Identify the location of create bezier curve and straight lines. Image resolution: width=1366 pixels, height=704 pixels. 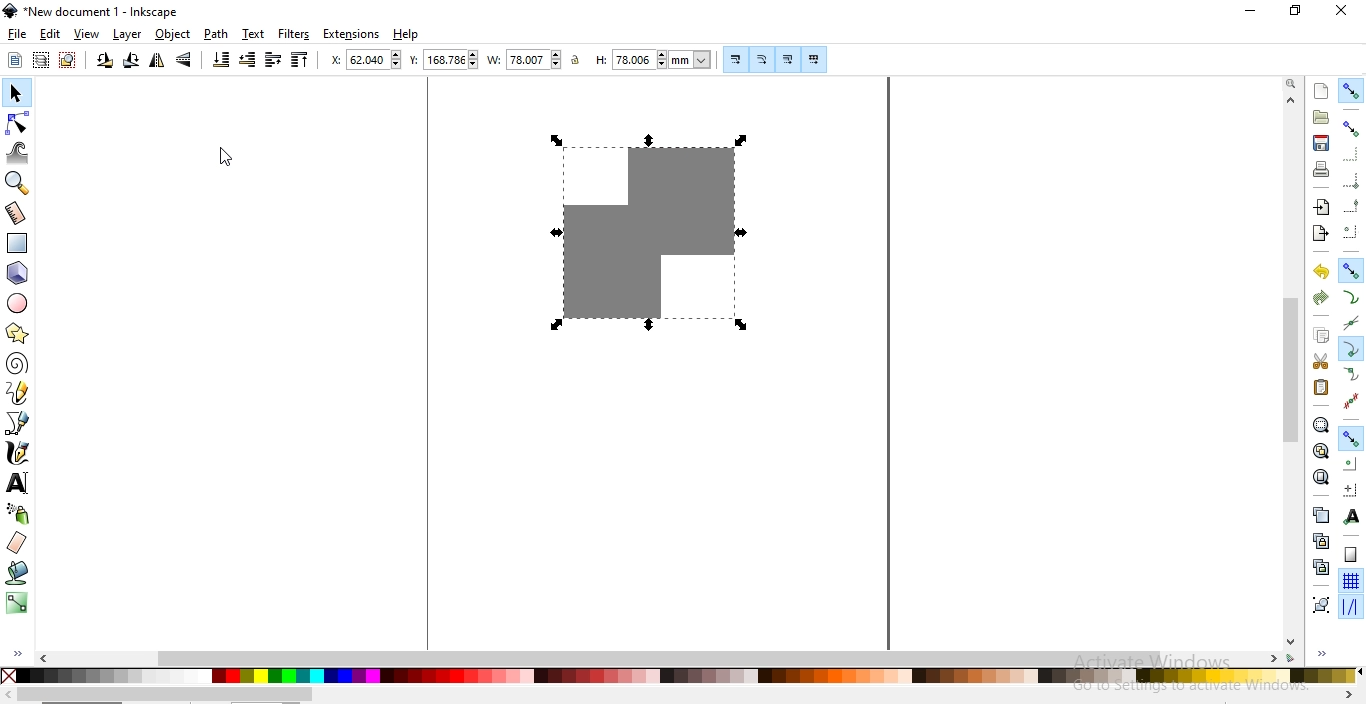
(18, 422).